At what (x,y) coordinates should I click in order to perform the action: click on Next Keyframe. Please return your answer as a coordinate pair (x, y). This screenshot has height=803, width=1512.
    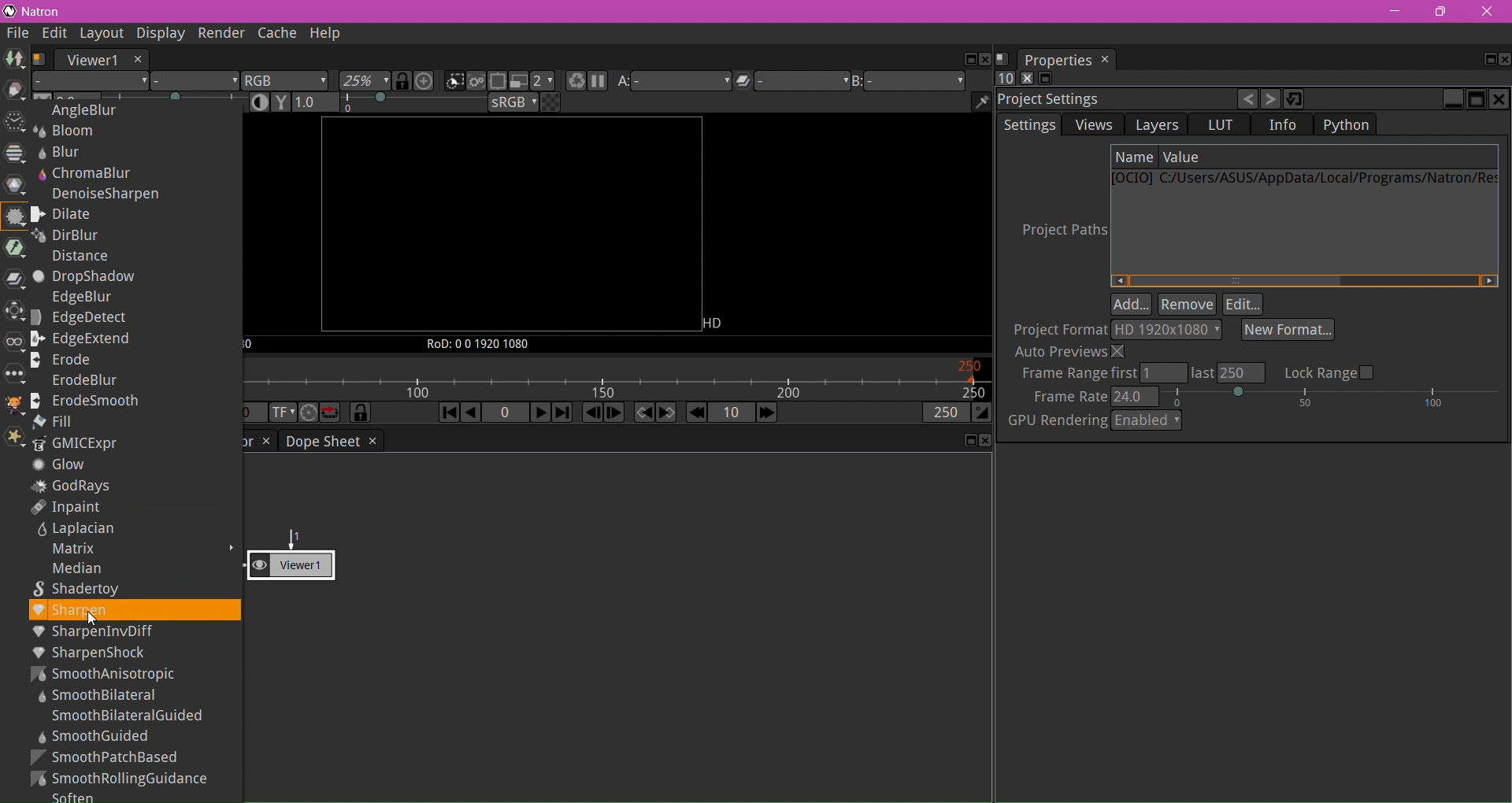
    Looking at the image, I should click on (667, 413).